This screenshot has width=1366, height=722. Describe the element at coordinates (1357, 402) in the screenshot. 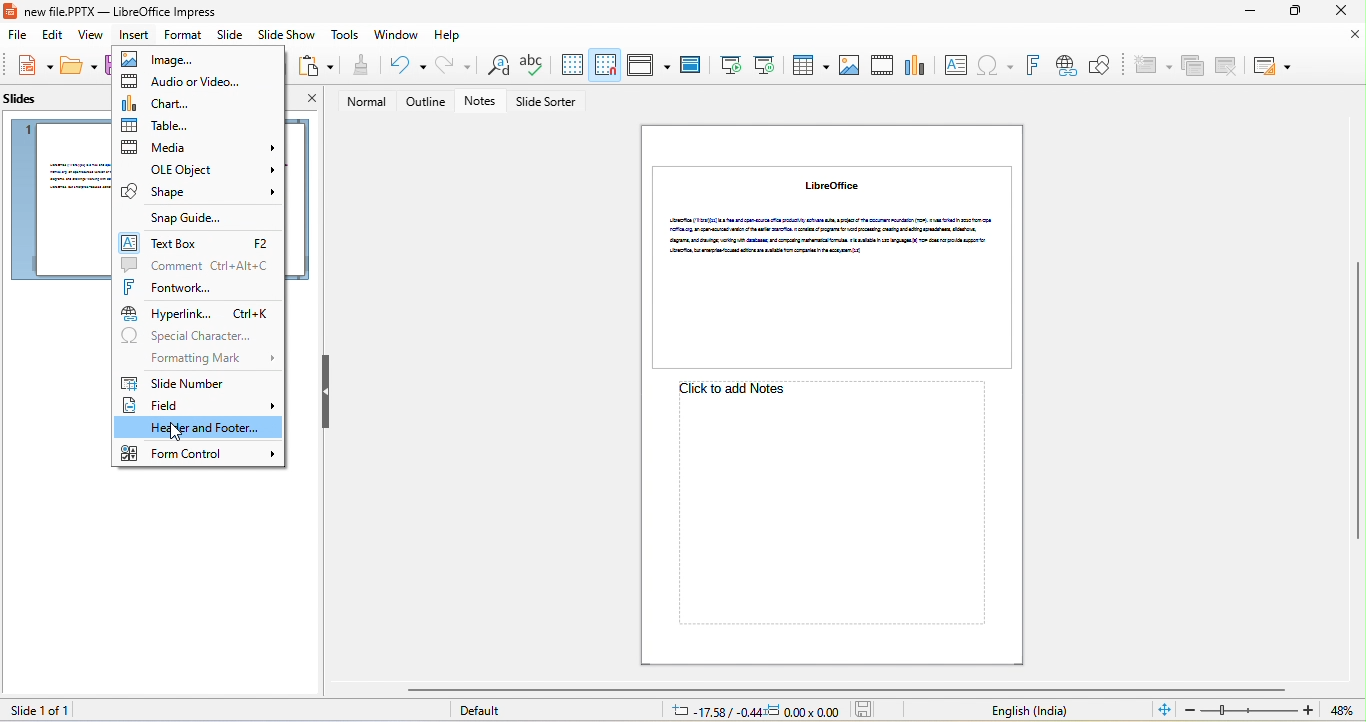

I see `vertical scrollbar` at that location.